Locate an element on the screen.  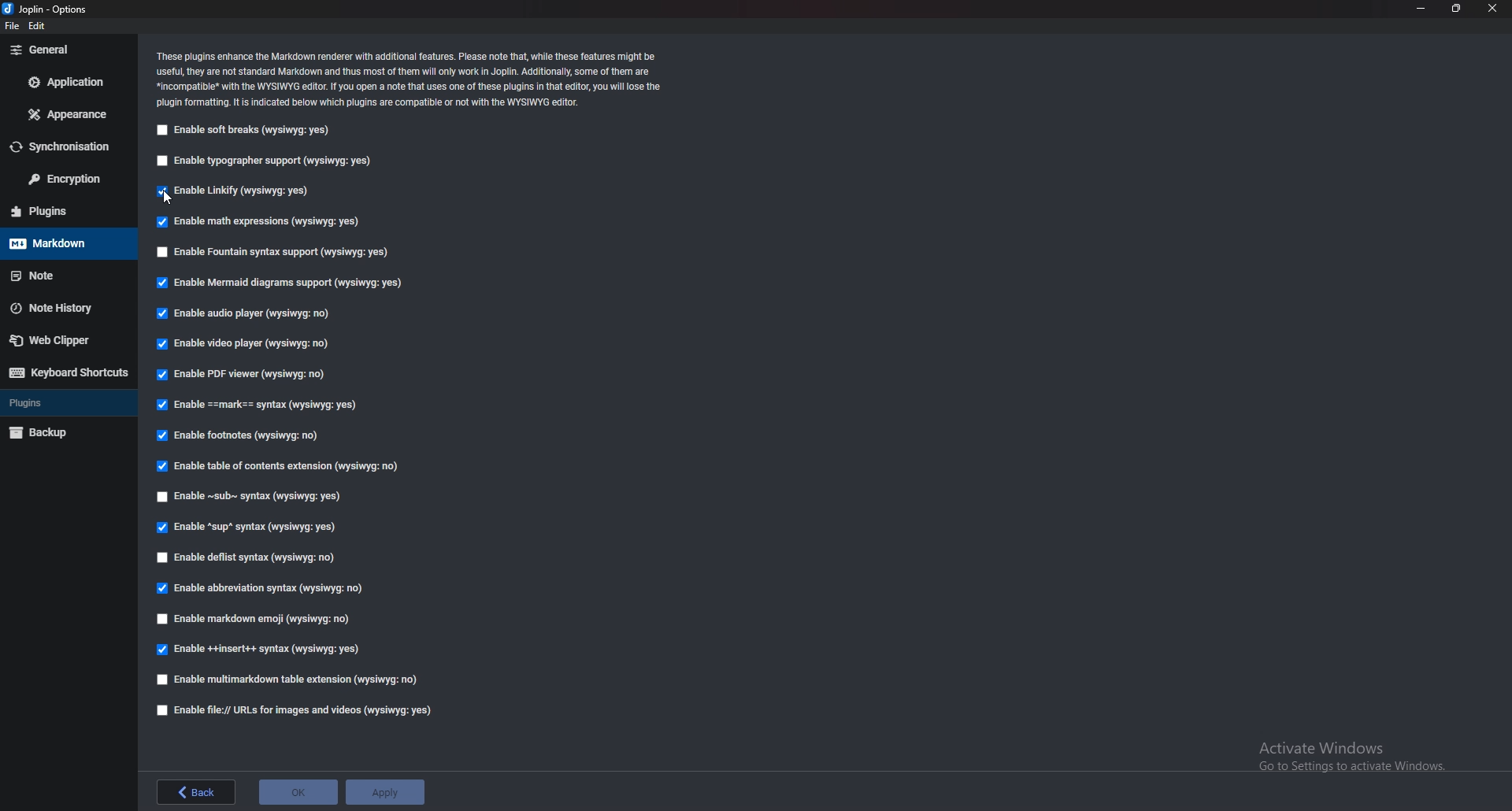
enable math expressions is located at coordinates (261, 221).